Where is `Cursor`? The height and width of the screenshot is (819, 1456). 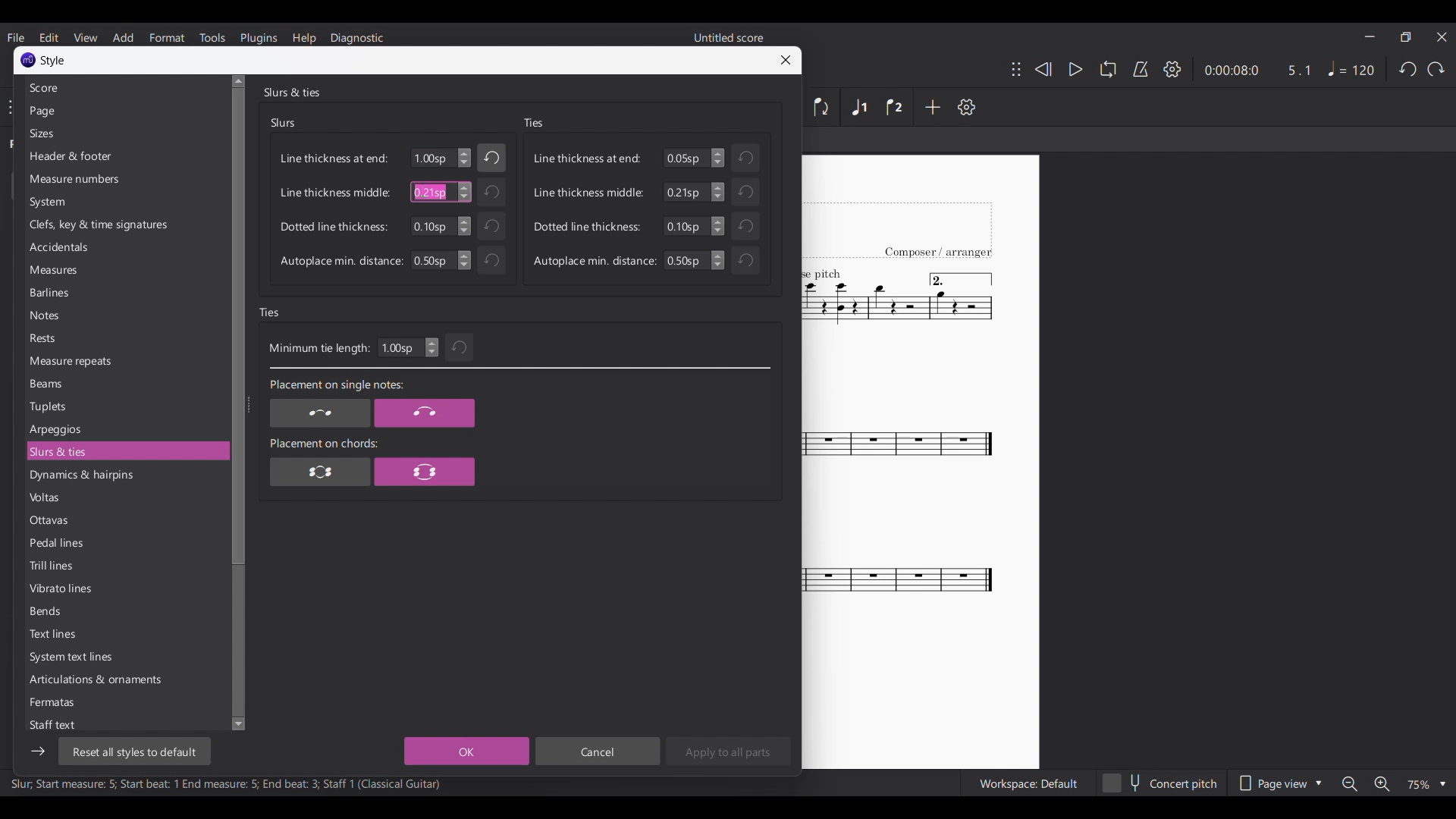 Cursor is located at coordinates (423, 190).